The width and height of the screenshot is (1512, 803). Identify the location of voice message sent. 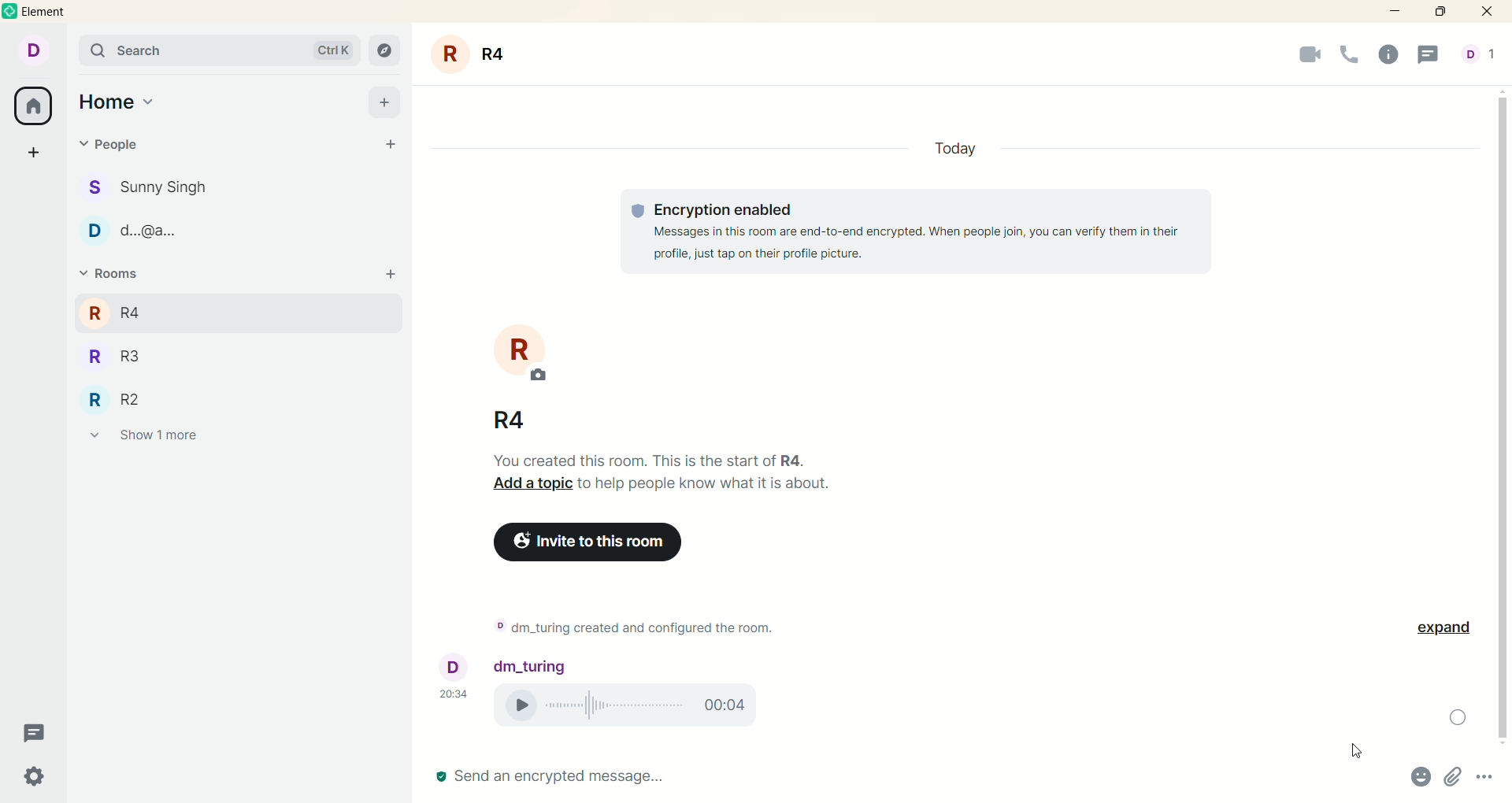
(654, 621).